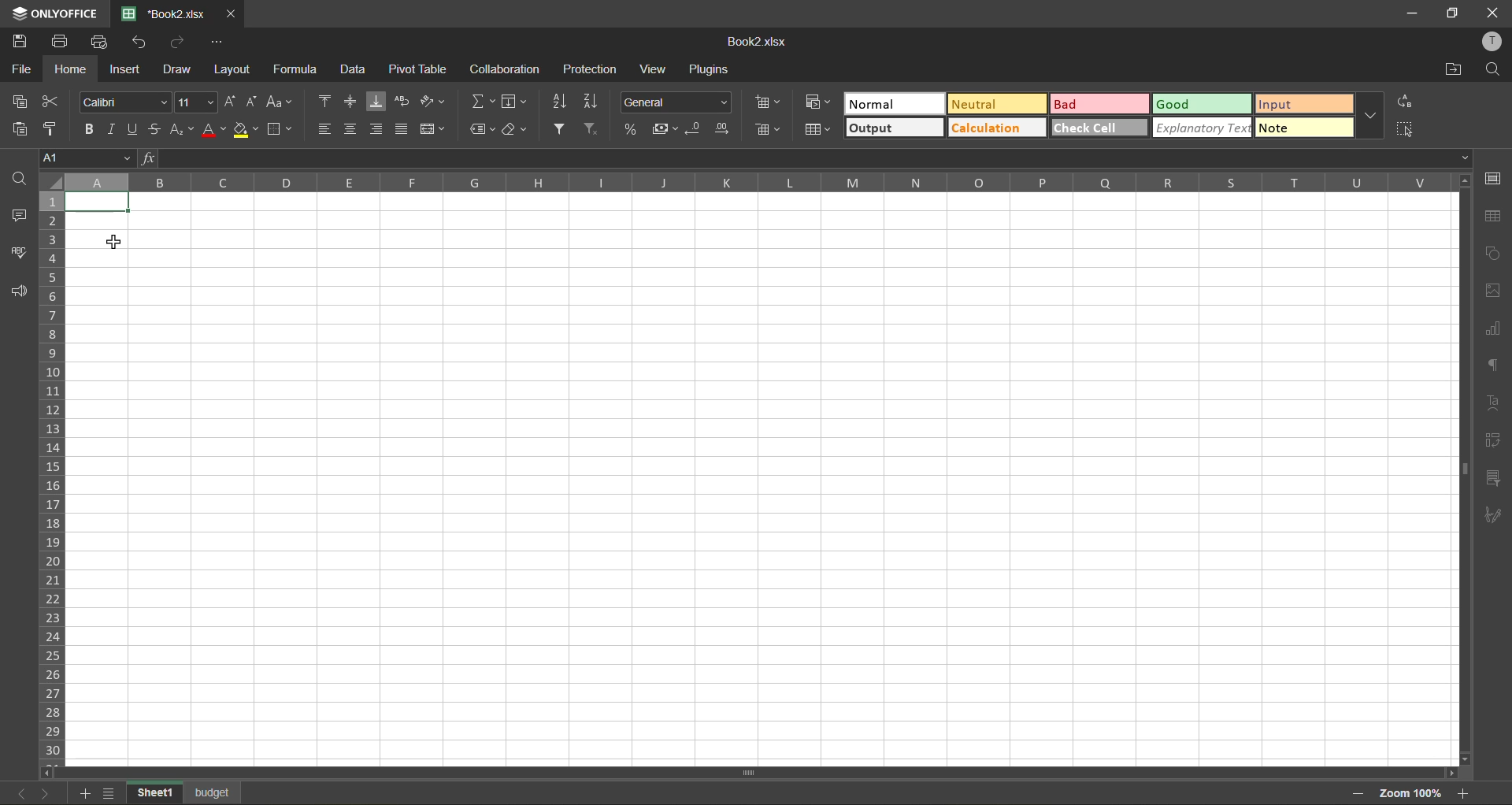 The height and width of the screenshot is (805, 1512). I want to click on align right, so click(378, 127).